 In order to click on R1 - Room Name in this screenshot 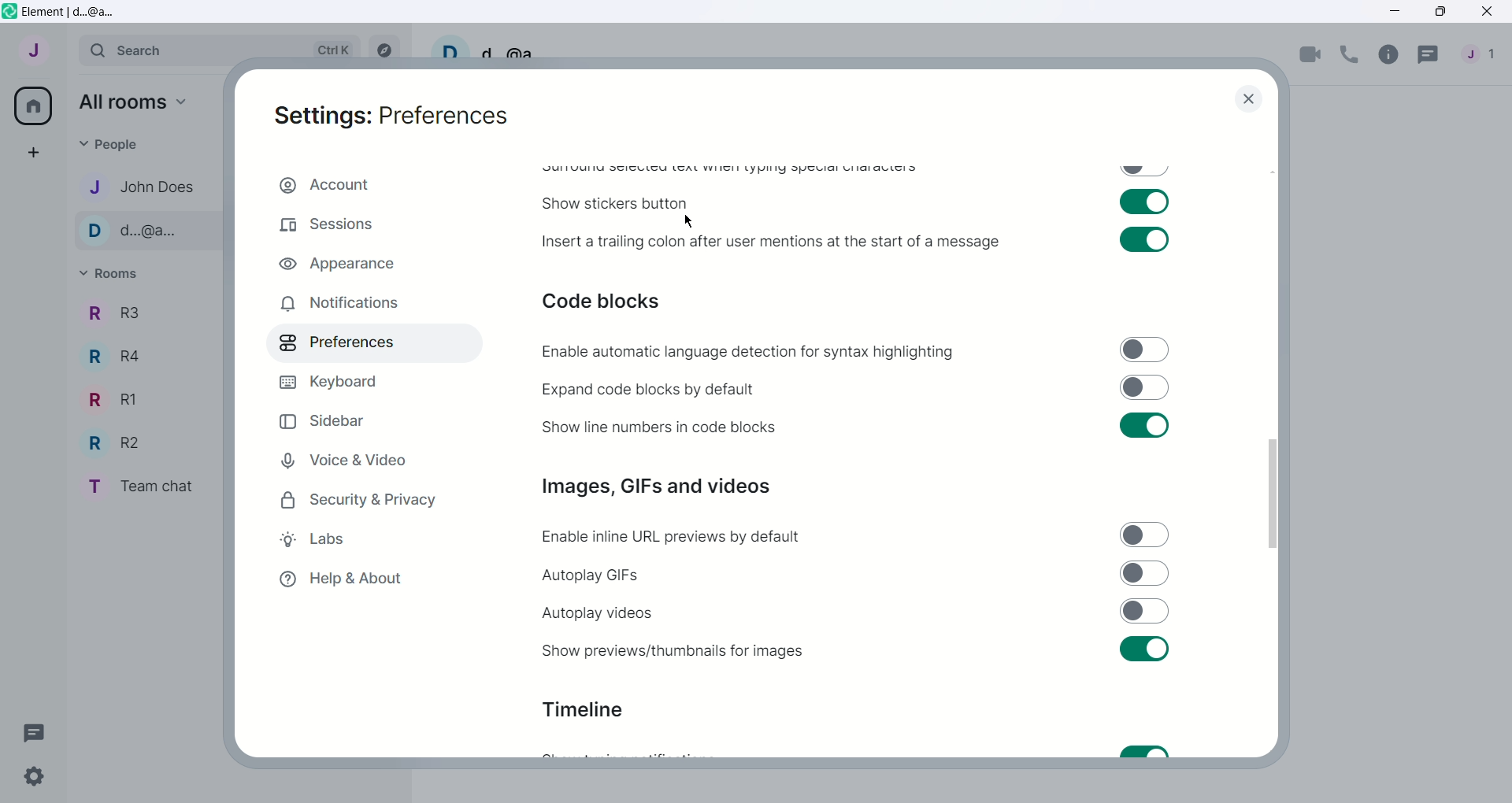, I will do `click(116, 399)`.